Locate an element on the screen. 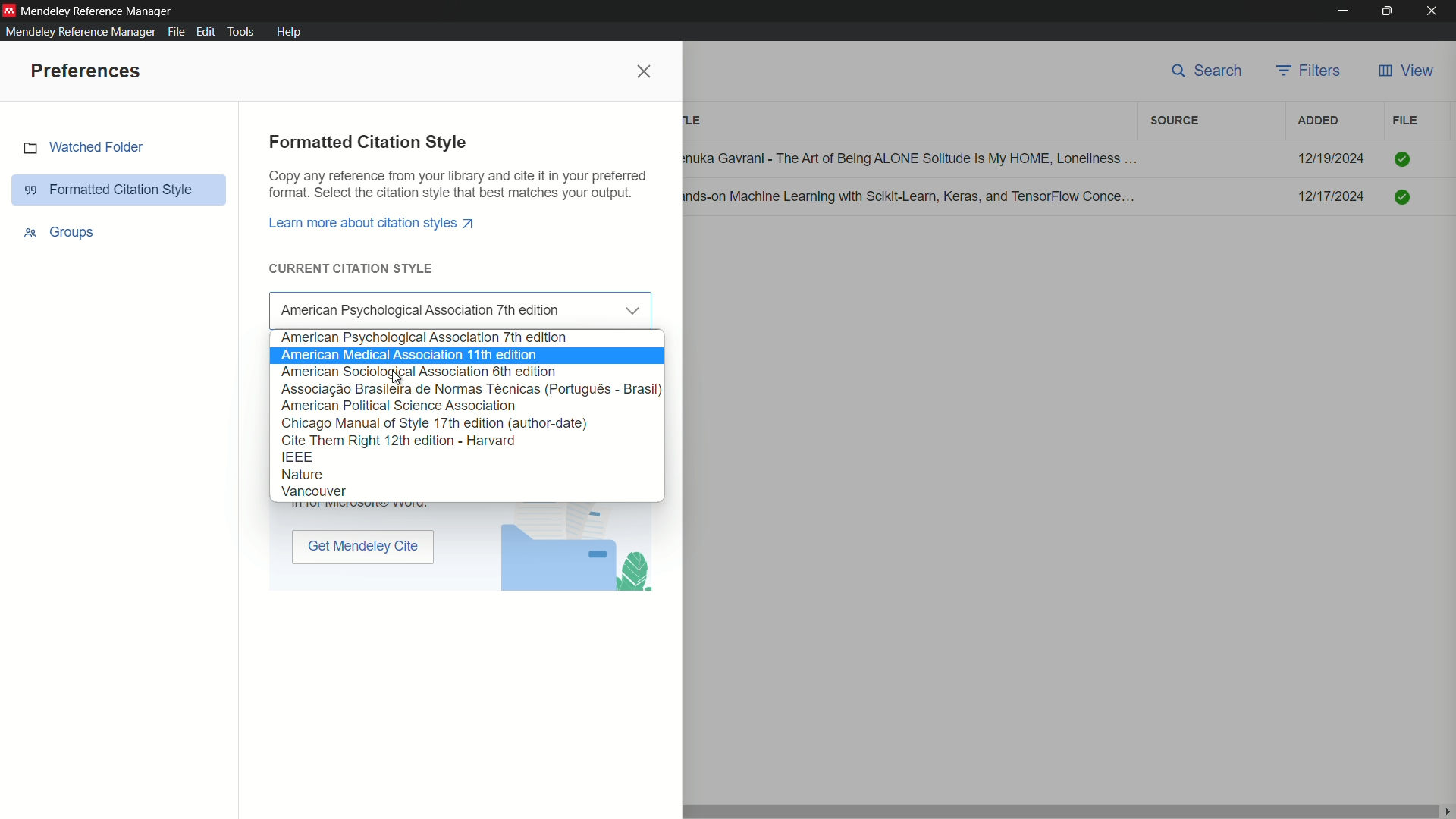 This screenshot has width=1456, height=819. IEEE is located at coordinates (466, 457).